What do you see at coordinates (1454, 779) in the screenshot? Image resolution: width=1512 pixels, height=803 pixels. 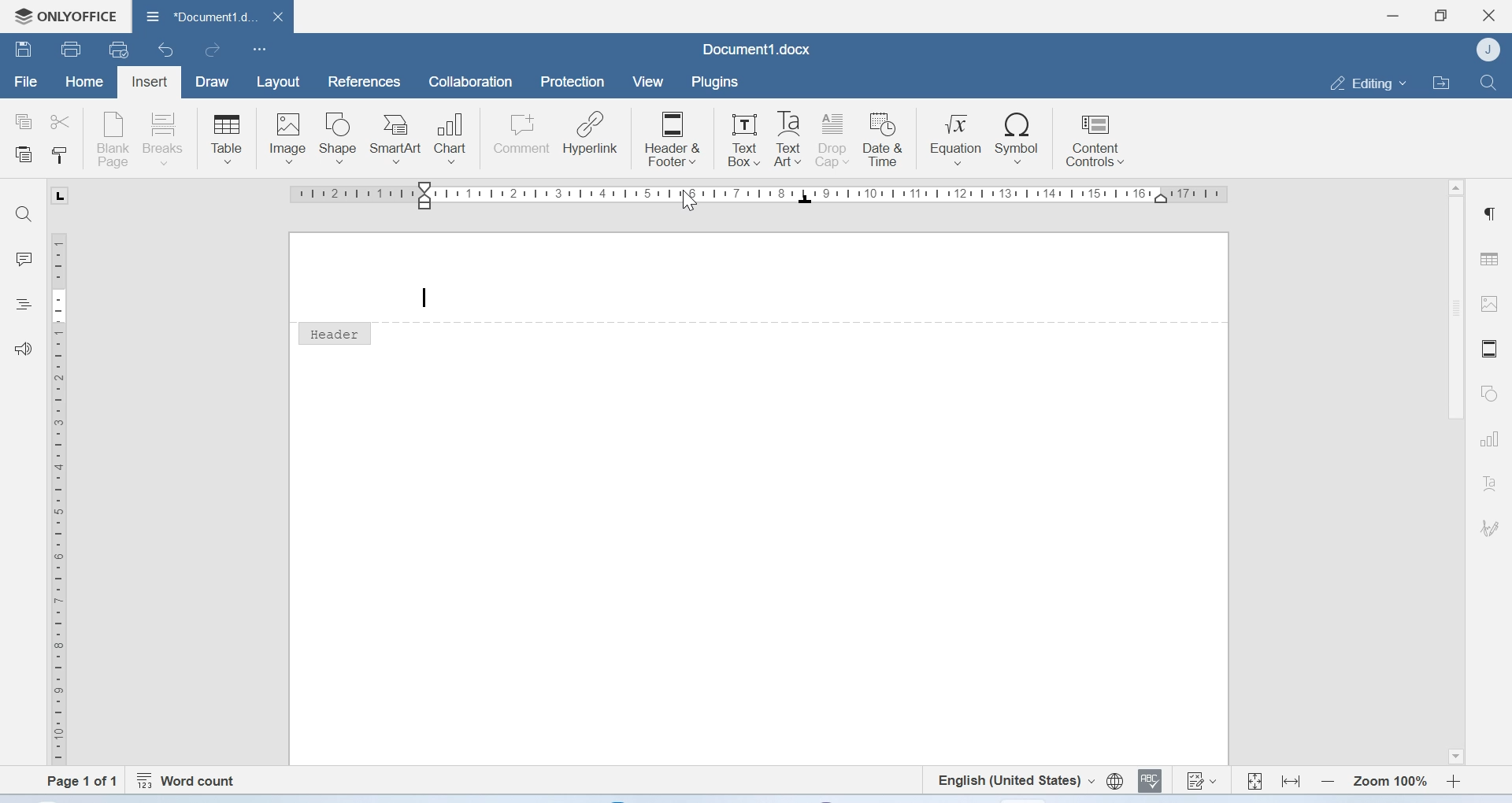 I see `Zoom in` at bounding box center [1454, 779].